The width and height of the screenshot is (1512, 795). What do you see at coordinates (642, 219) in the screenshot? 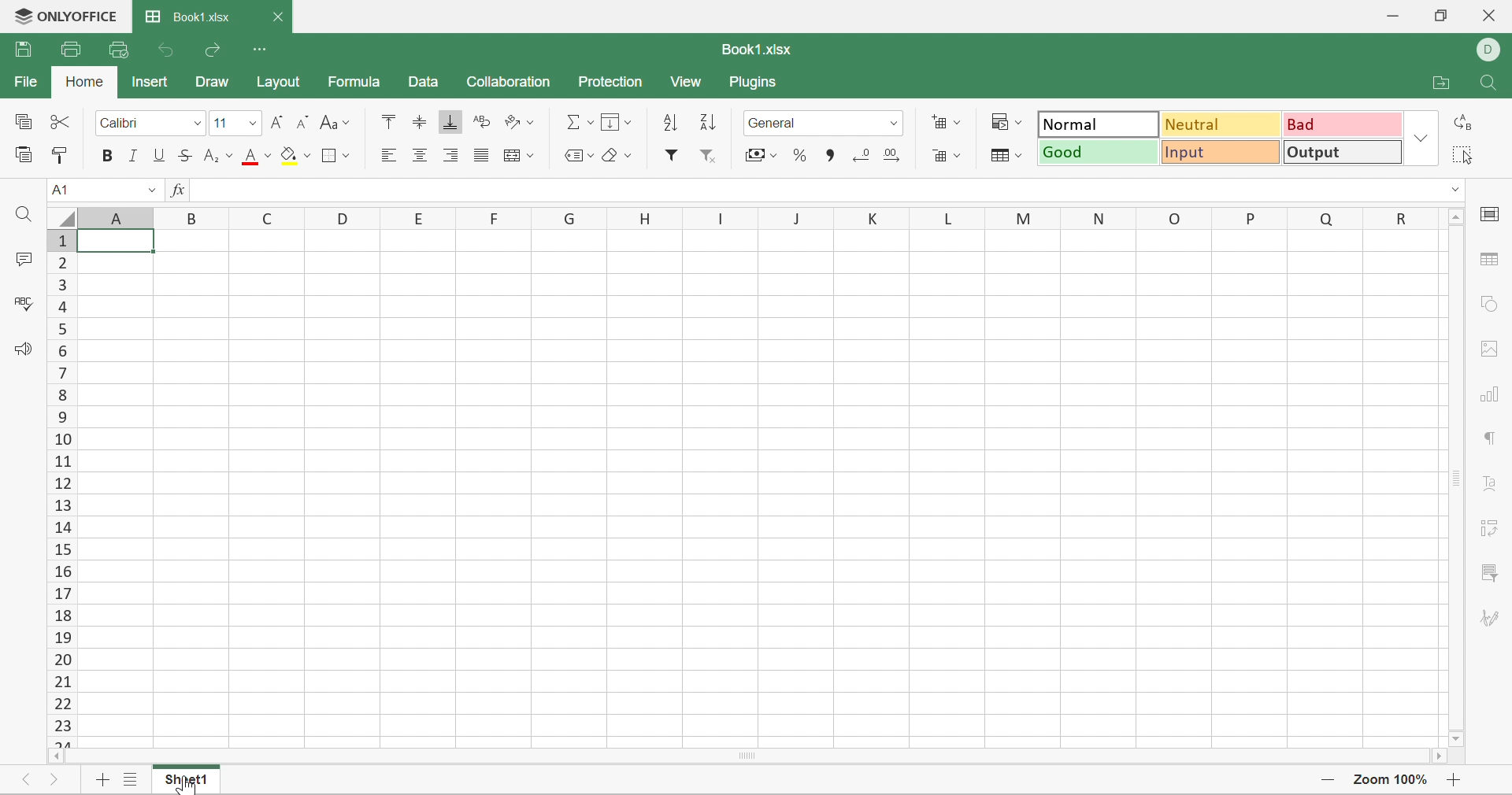
I see `H` at bounding box center [642, 219].